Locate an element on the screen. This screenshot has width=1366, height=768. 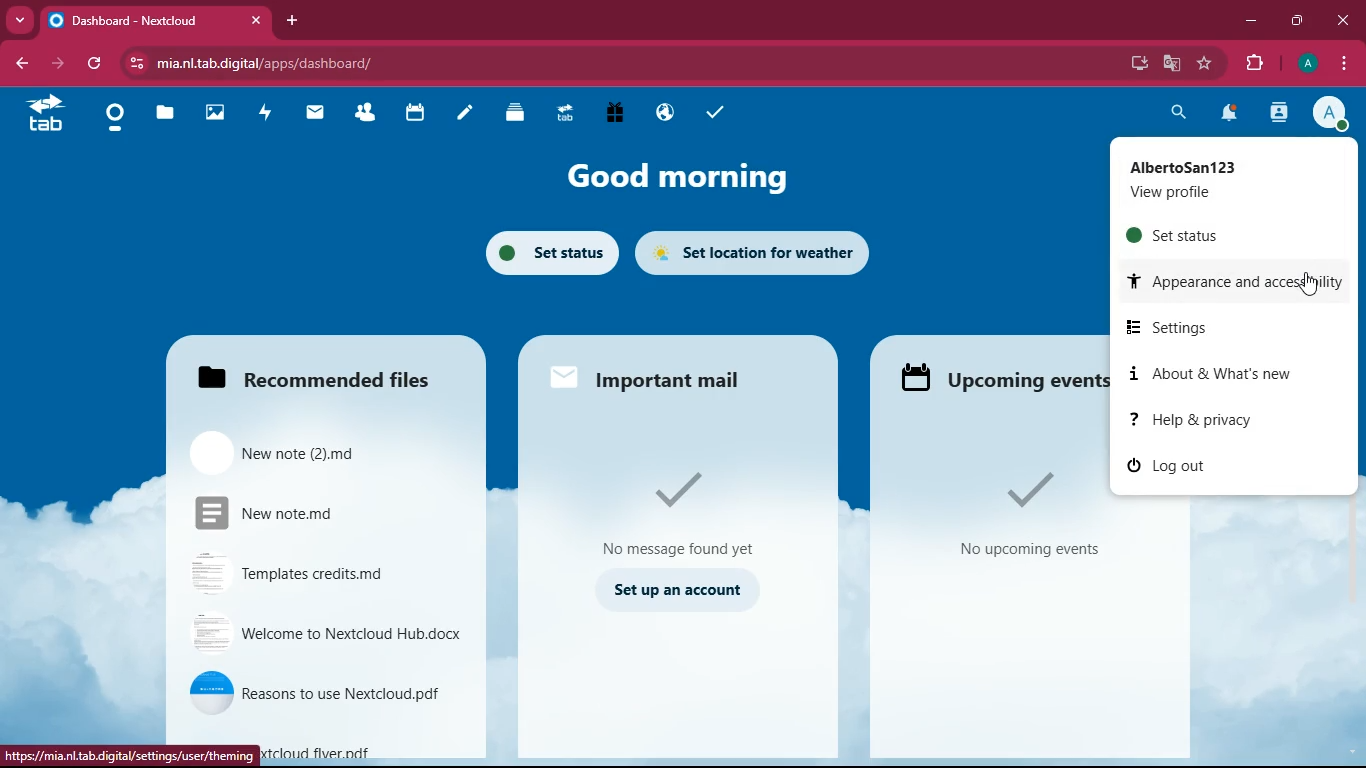
images is located at coordinates (218, 114).